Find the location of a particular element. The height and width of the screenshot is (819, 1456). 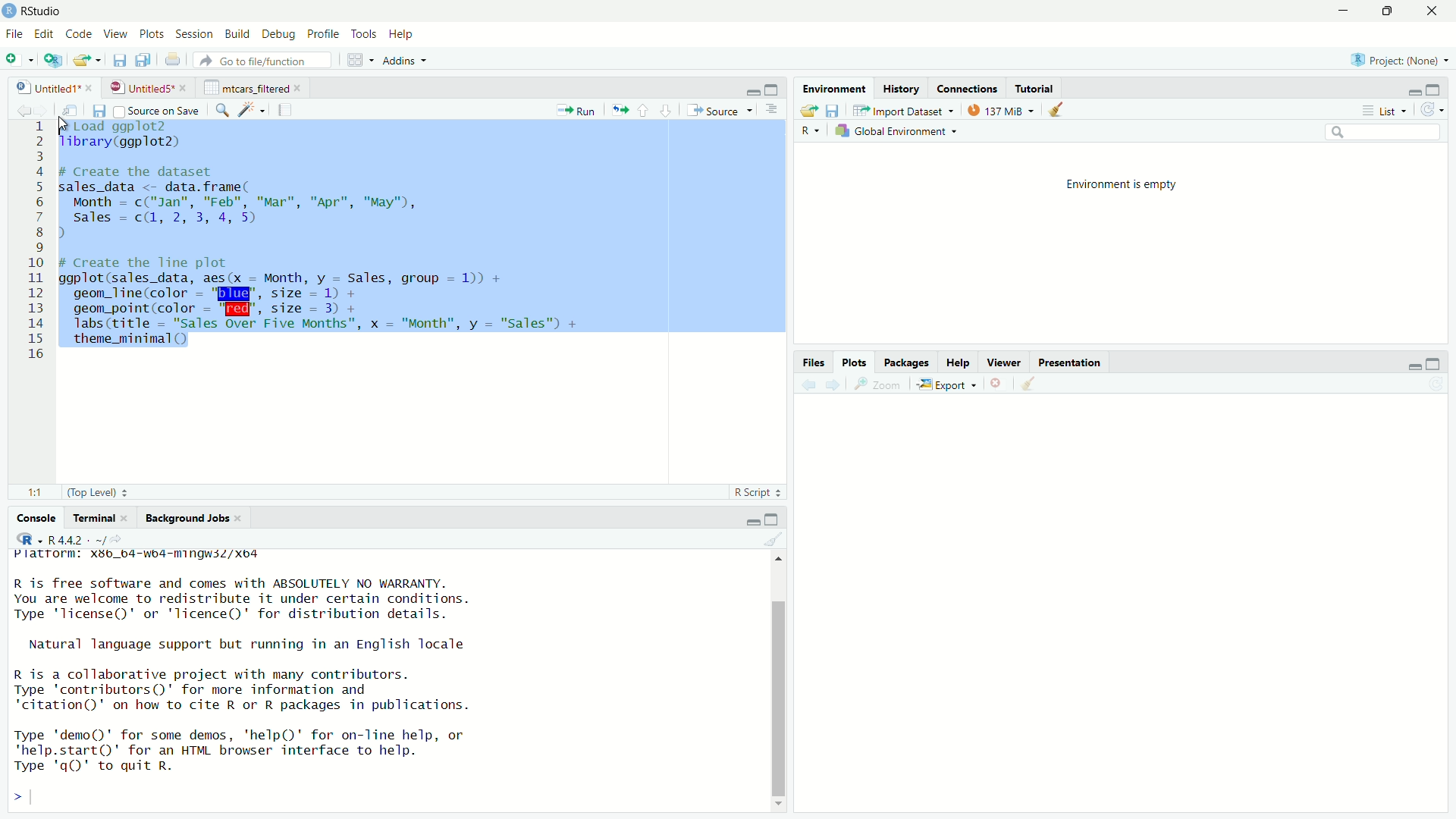

plots is located at coordinates (856, 362).